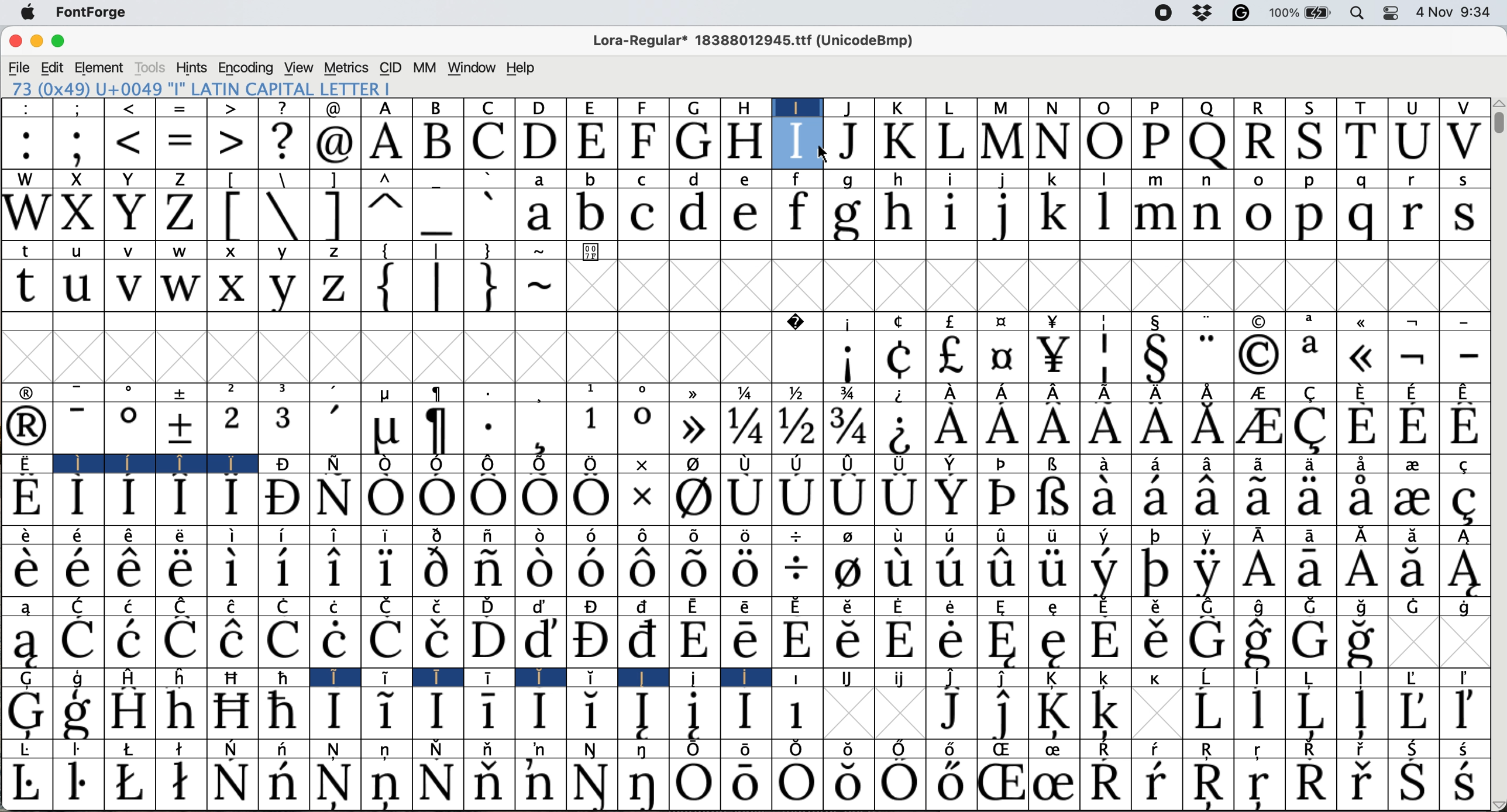 This screenshot has width=1507, height=812. What do you see at coordinates (742, 785) in the screenshot?
I see `Symbol` at bounding box center [742, 785].